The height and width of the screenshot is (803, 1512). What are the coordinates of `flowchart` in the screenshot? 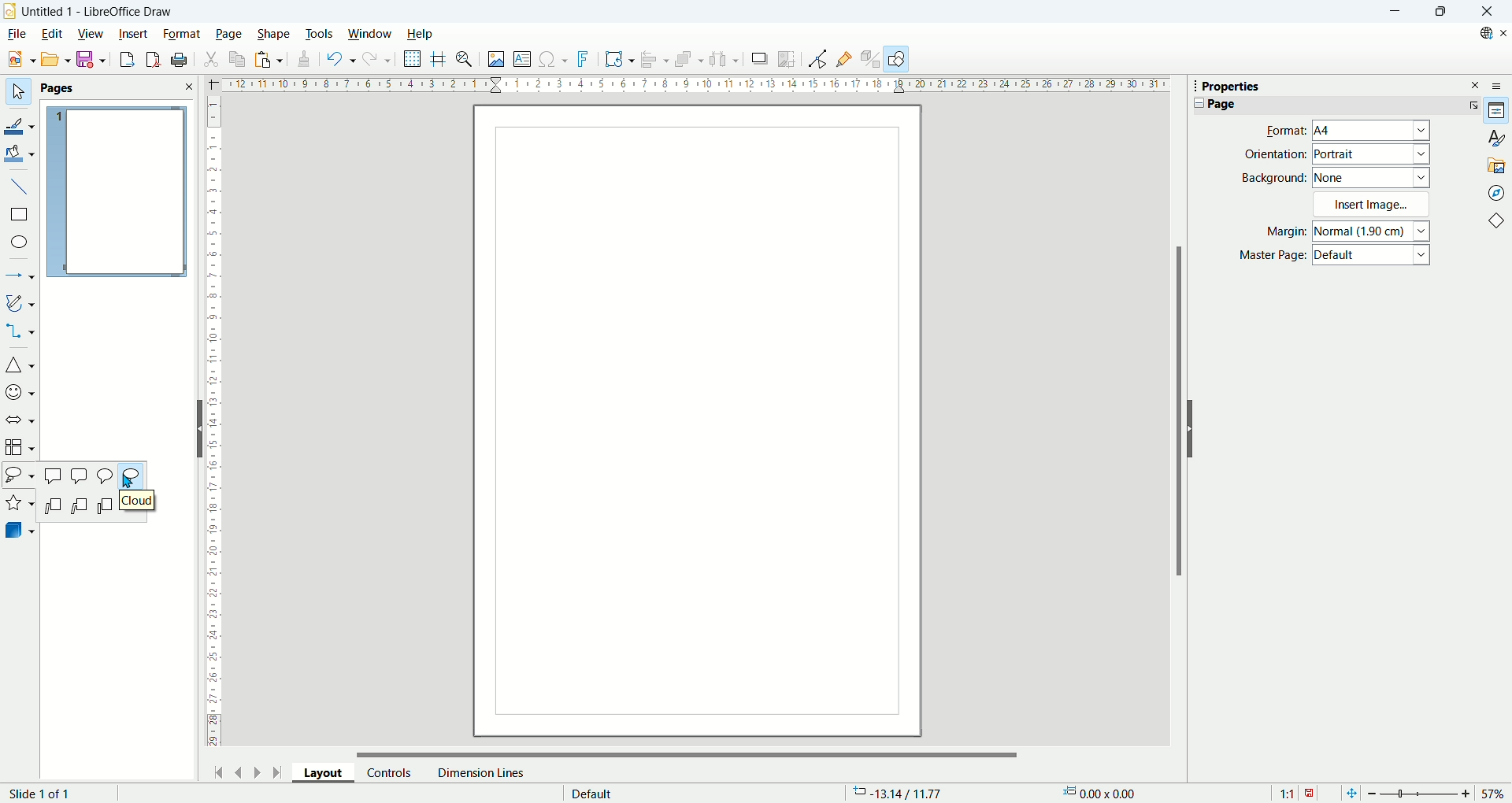 It's located at (20, 447).